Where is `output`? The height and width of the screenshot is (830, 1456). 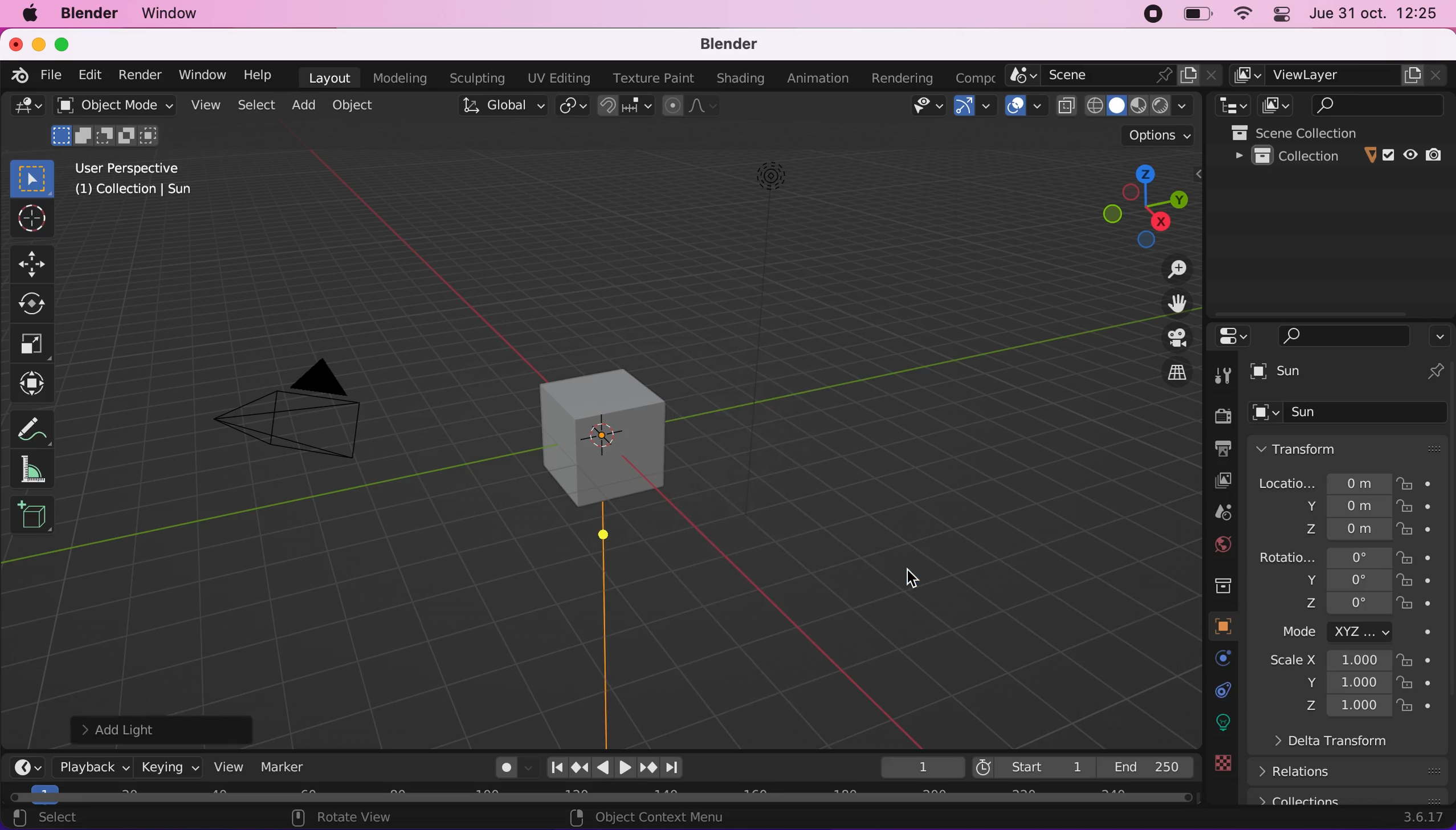
output is located at coordinates (1217, 449).